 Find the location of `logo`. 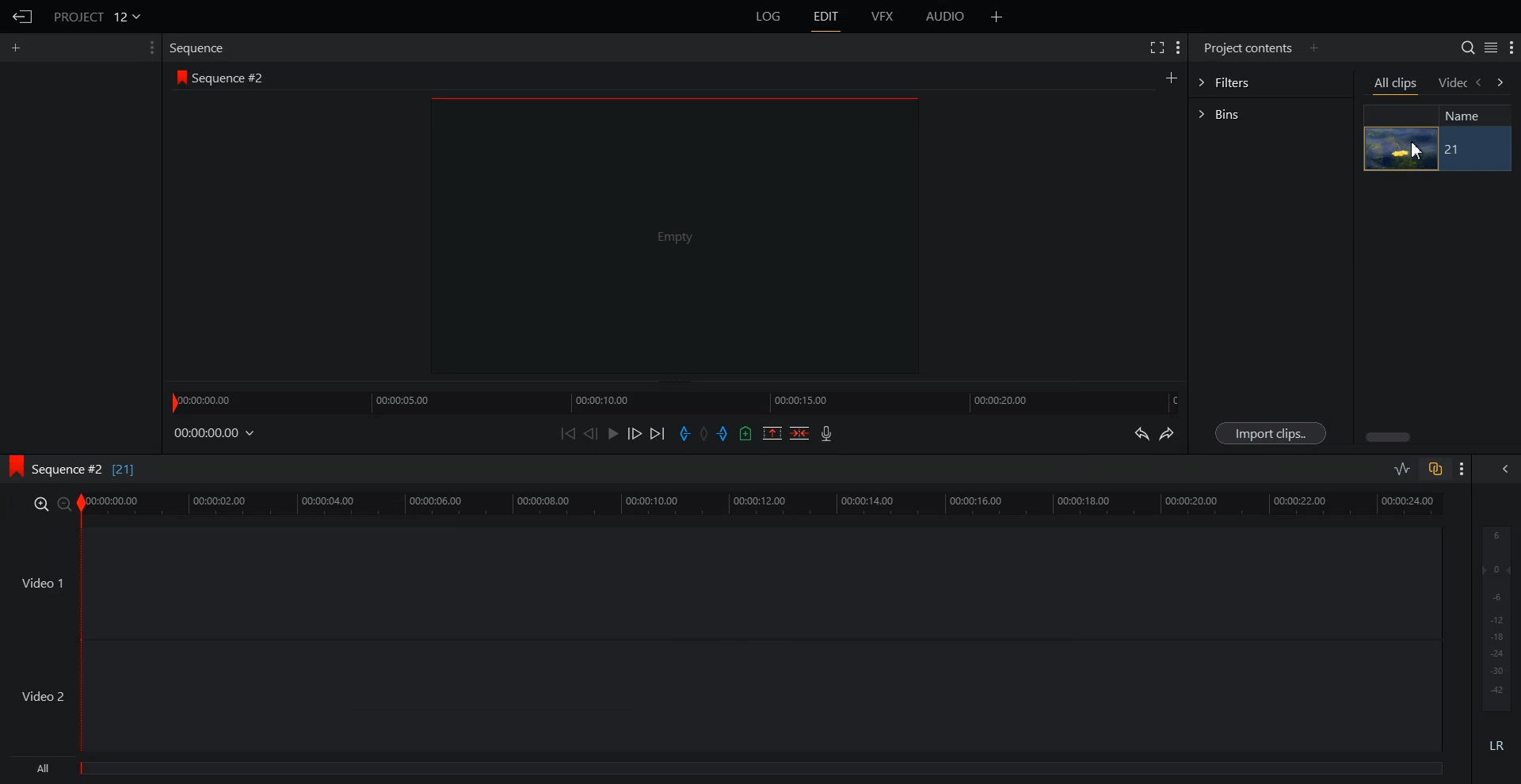

logo is located at coordinates (13, 466).